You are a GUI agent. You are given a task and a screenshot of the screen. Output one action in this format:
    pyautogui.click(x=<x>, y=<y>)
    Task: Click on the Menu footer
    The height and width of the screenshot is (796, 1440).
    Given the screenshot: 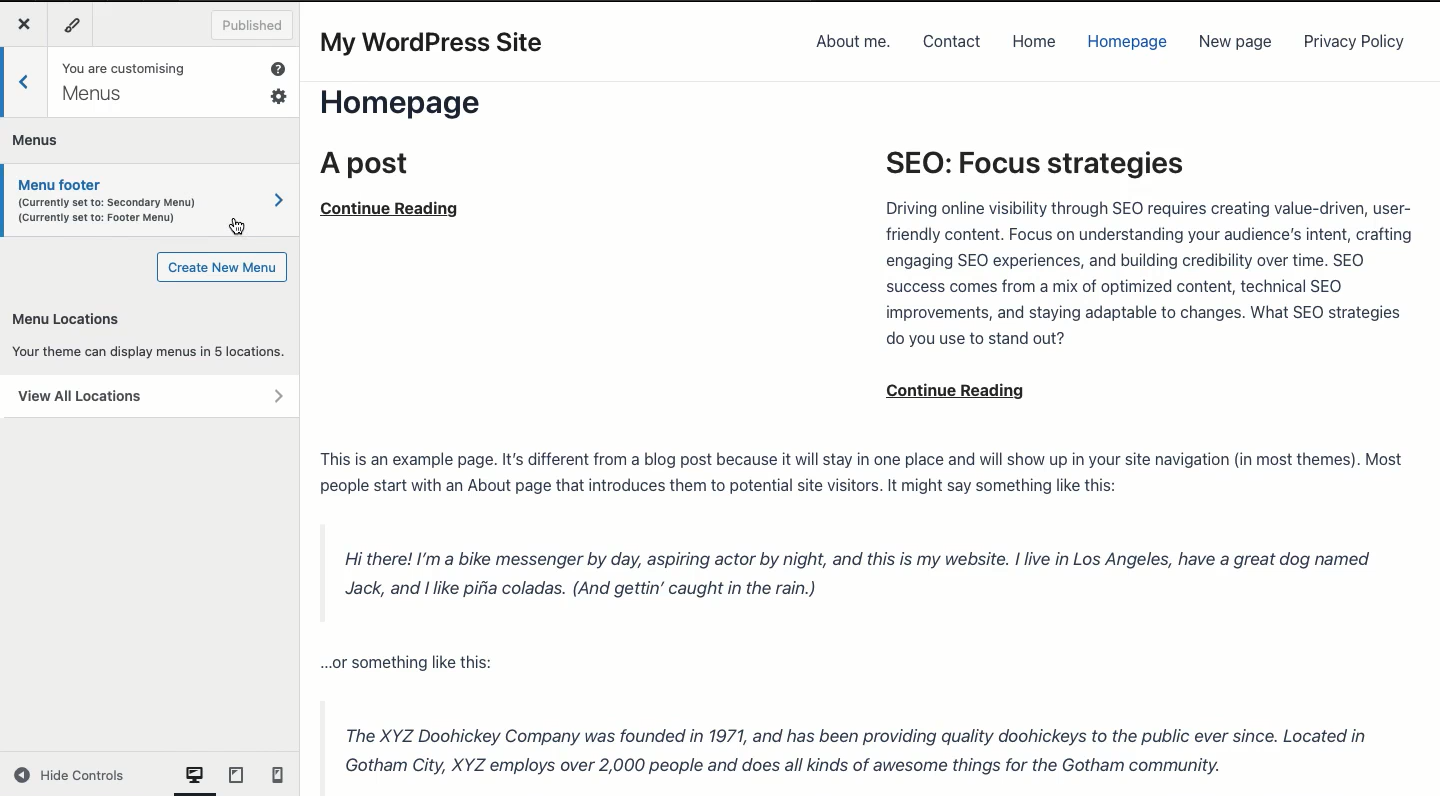 What is the action you would take?
    pyautogui.click(x=148, y=201)
    